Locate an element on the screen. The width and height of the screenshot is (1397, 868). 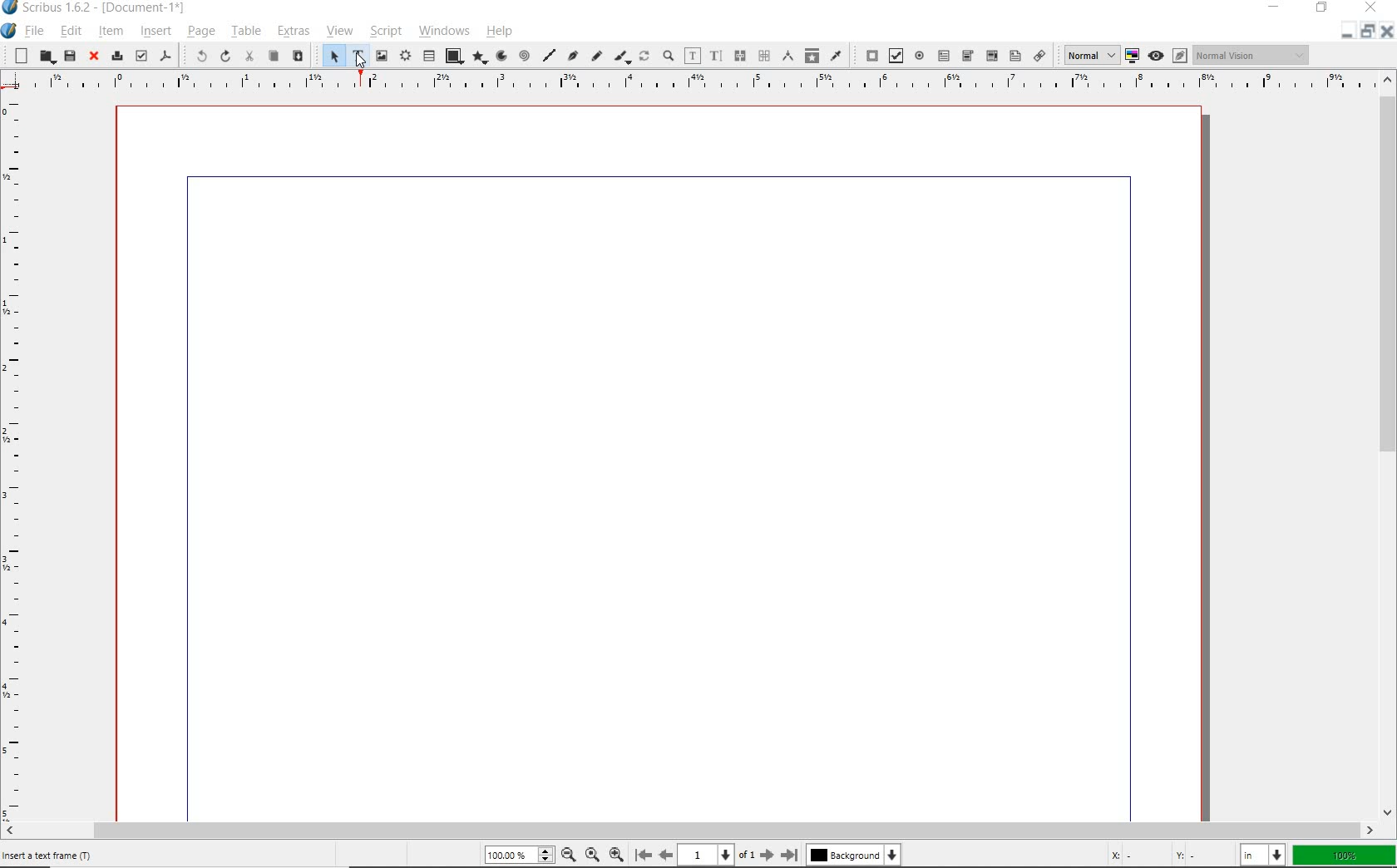
pdf combo box is located at coordinates (967, 57).